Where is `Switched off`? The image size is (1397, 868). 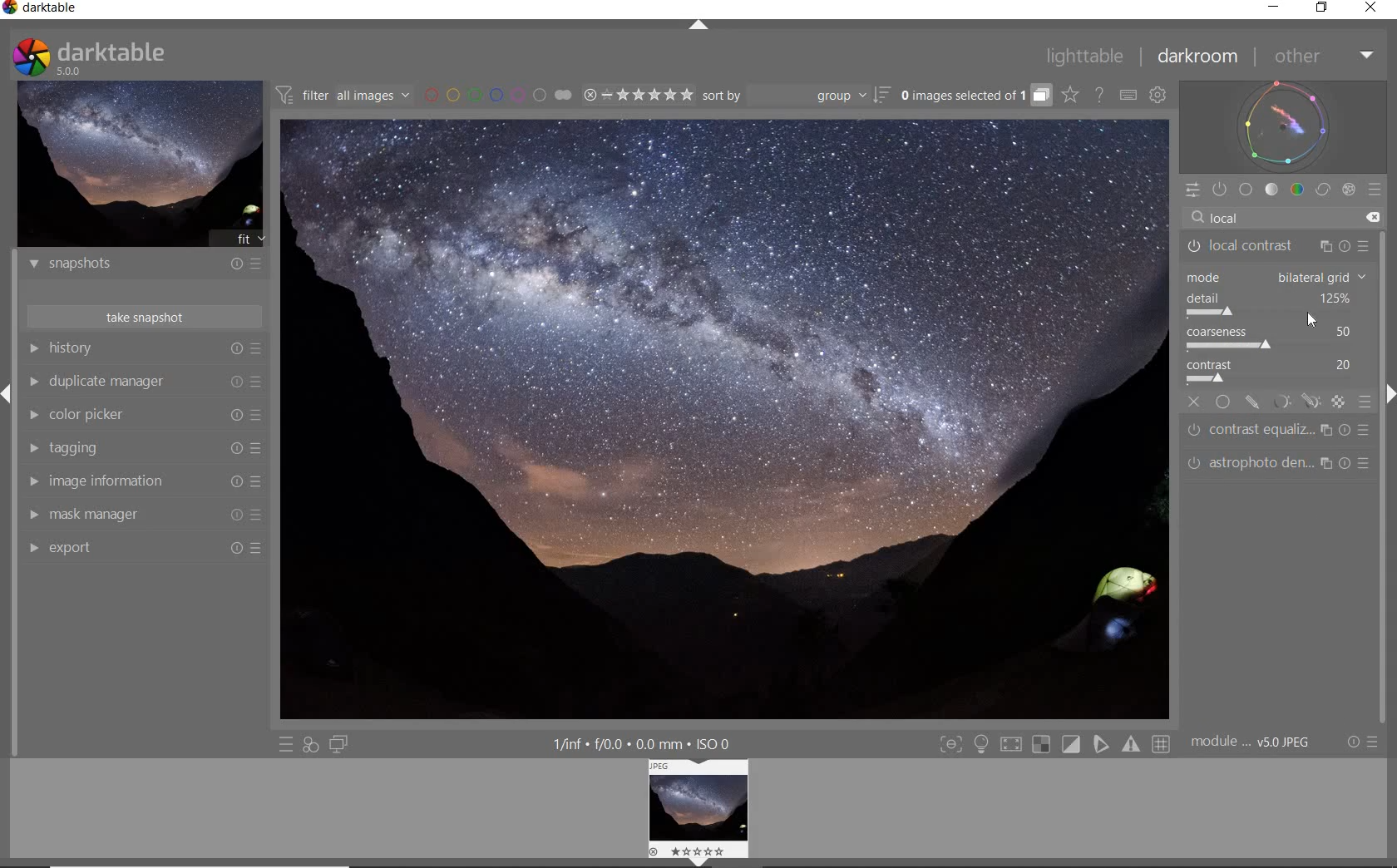
Switched off is located at coordinates (1189, 463).